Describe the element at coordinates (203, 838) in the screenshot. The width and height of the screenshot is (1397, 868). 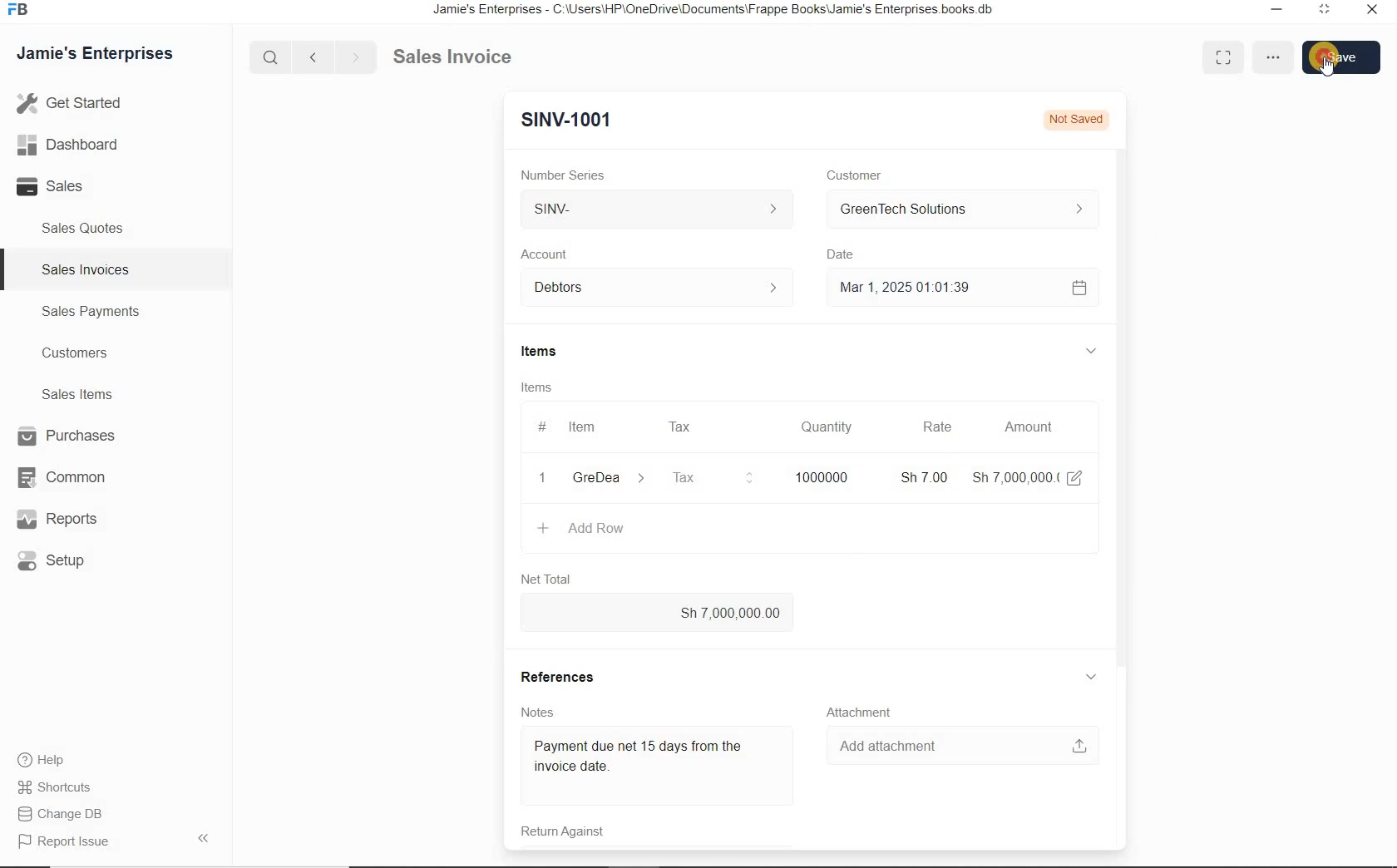
I see `hide` at that location.